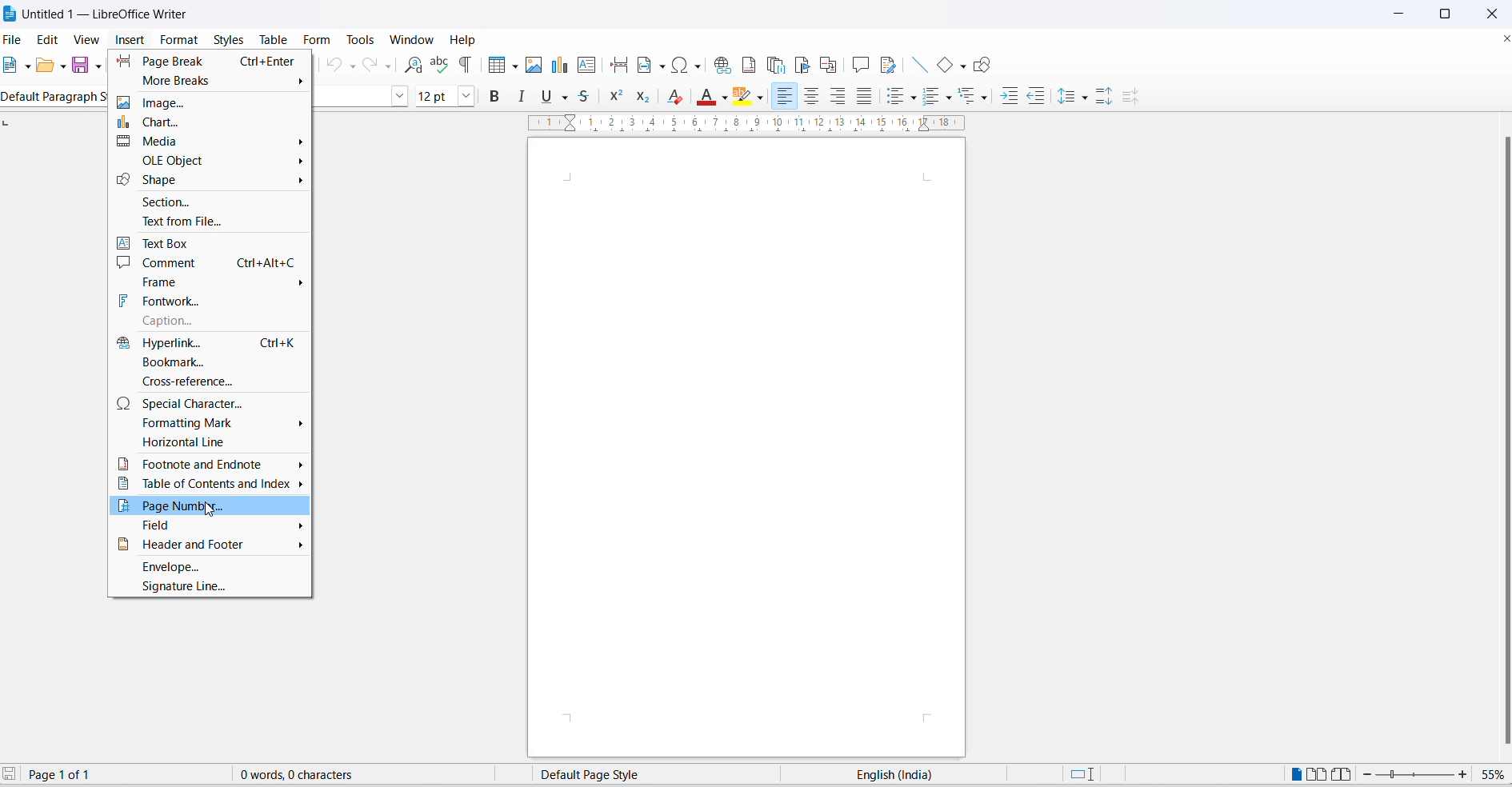 This screenshot has width=1512, height=787. What do you see at coordinates (1445, 15) in the screenshot?
I see `maximize` at bounding box center [1445, 15].